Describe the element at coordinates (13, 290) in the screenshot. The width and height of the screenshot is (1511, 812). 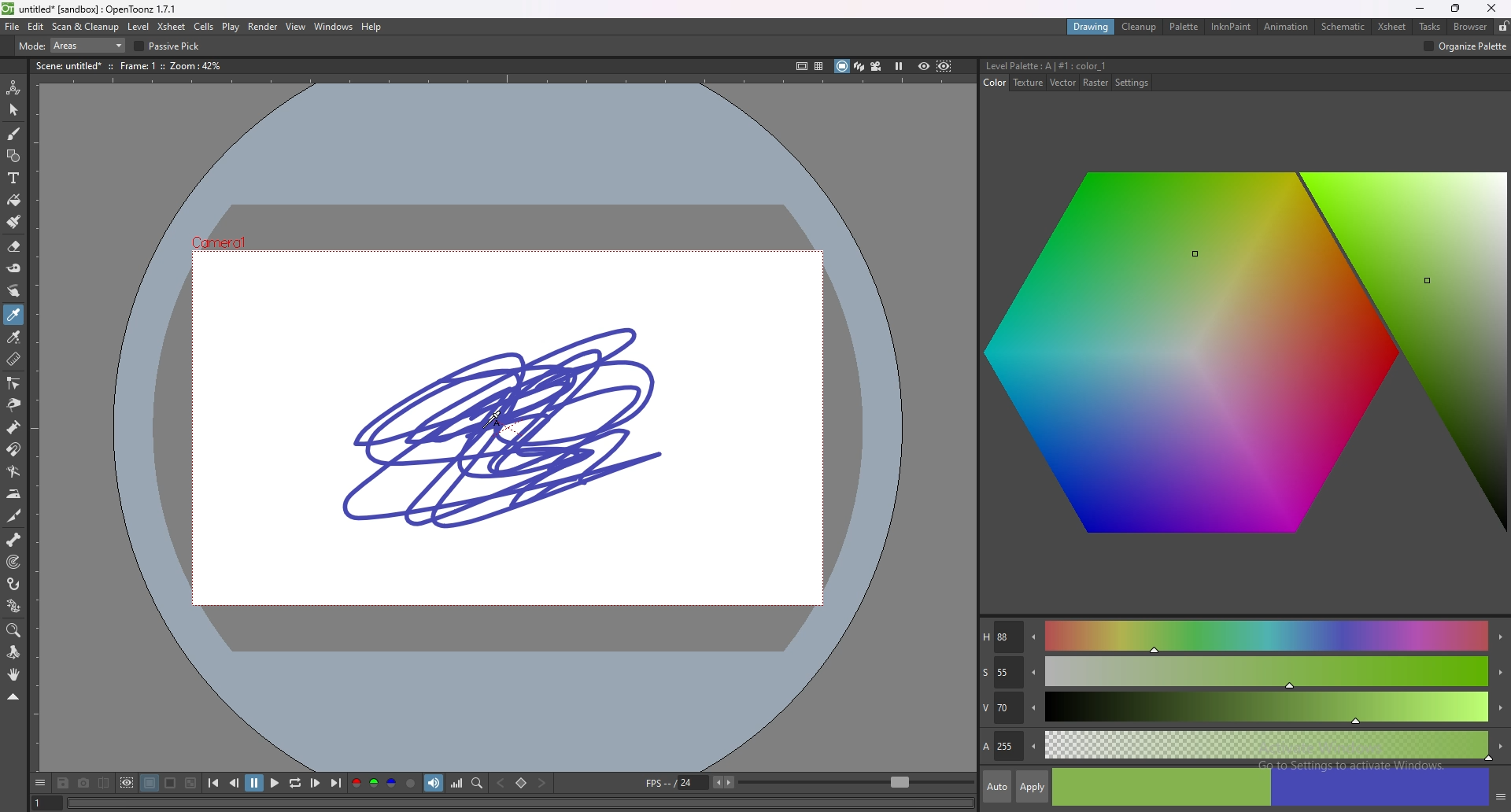
I see `finger tool` at that location.